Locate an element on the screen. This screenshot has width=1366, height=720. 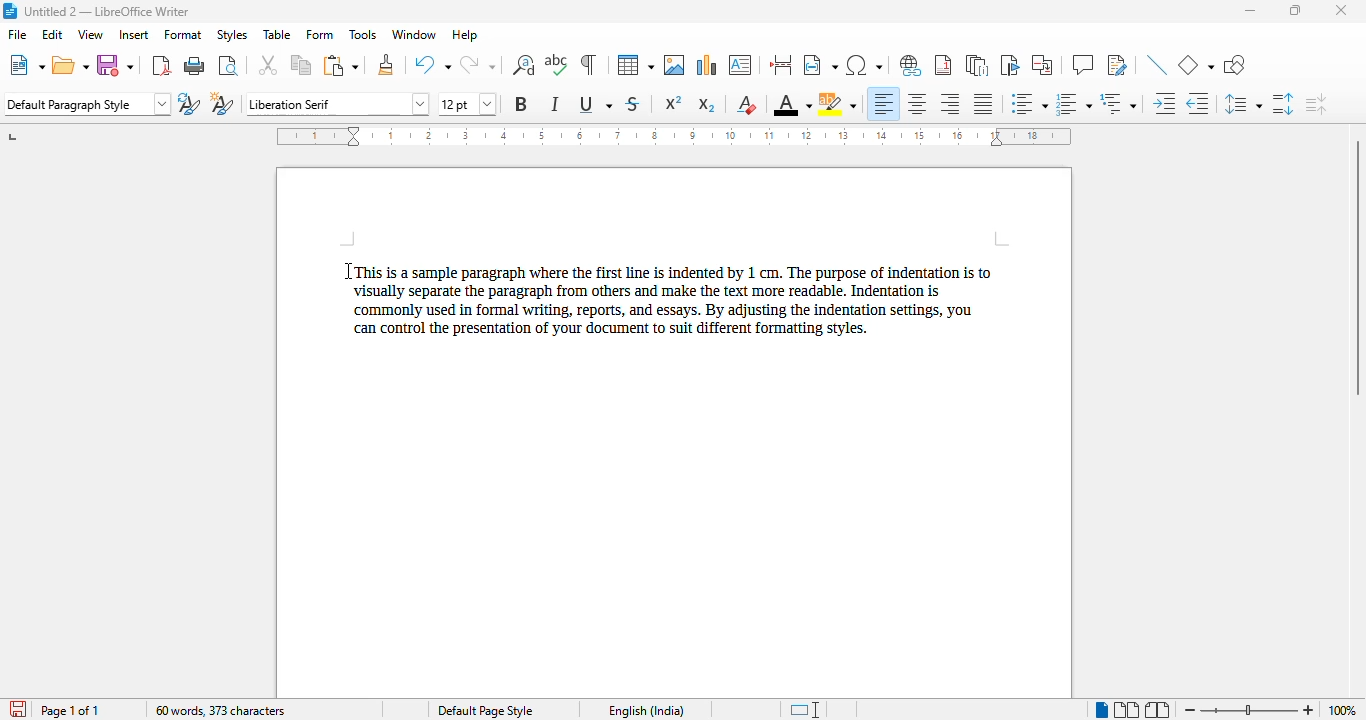
increase paragraph spacing is located at coordinates (1283, 104).